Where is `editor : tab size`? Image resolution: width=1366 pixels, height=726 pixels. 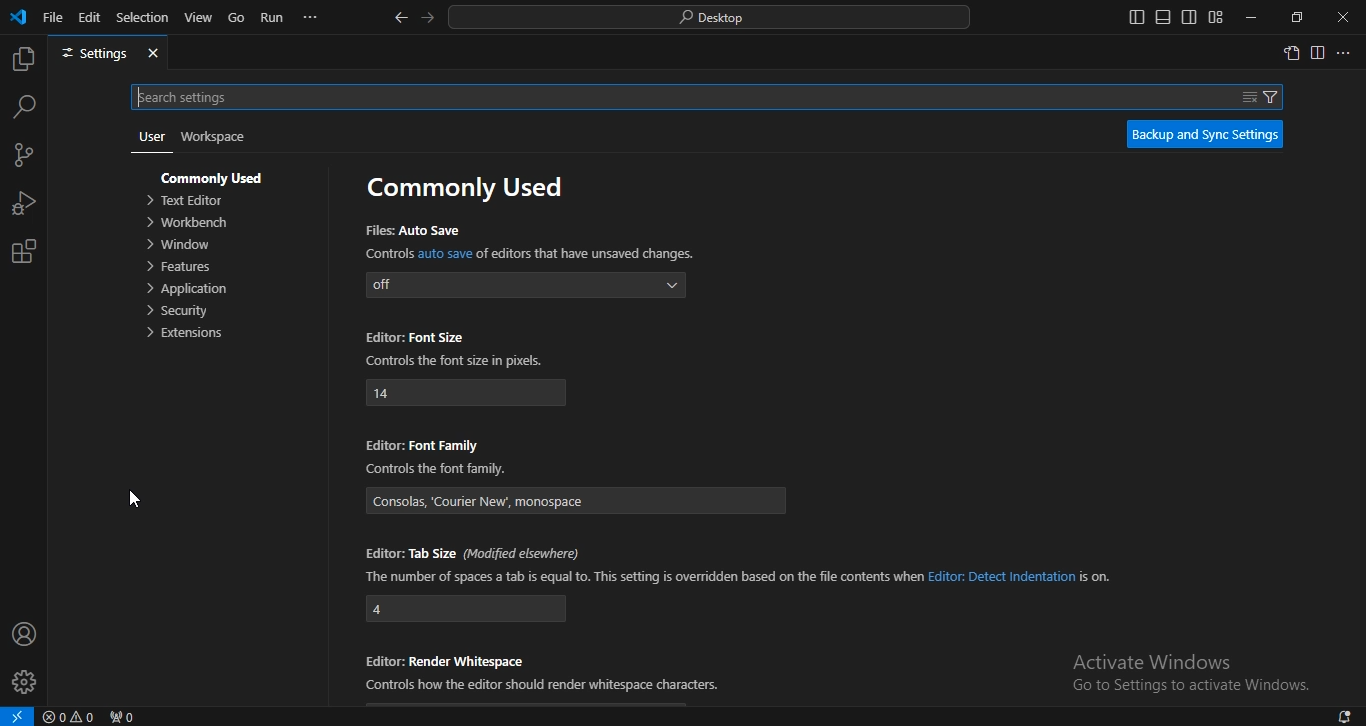
editor : tab size is located at coordinates (466, 609).